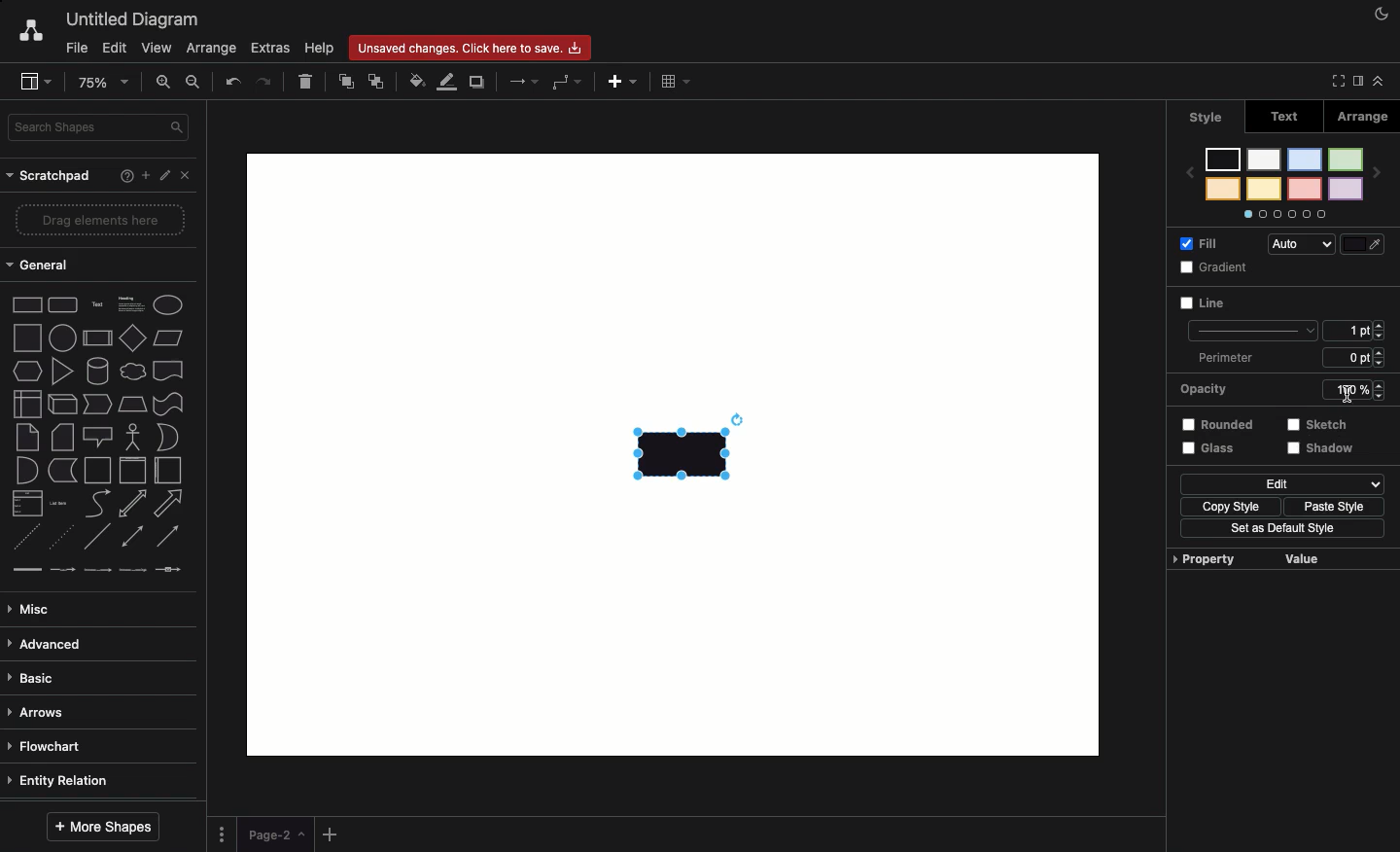  What do you see at coordinates (680, 83) in the screenshot?
I see `Table` at bounding box center [680, 83].